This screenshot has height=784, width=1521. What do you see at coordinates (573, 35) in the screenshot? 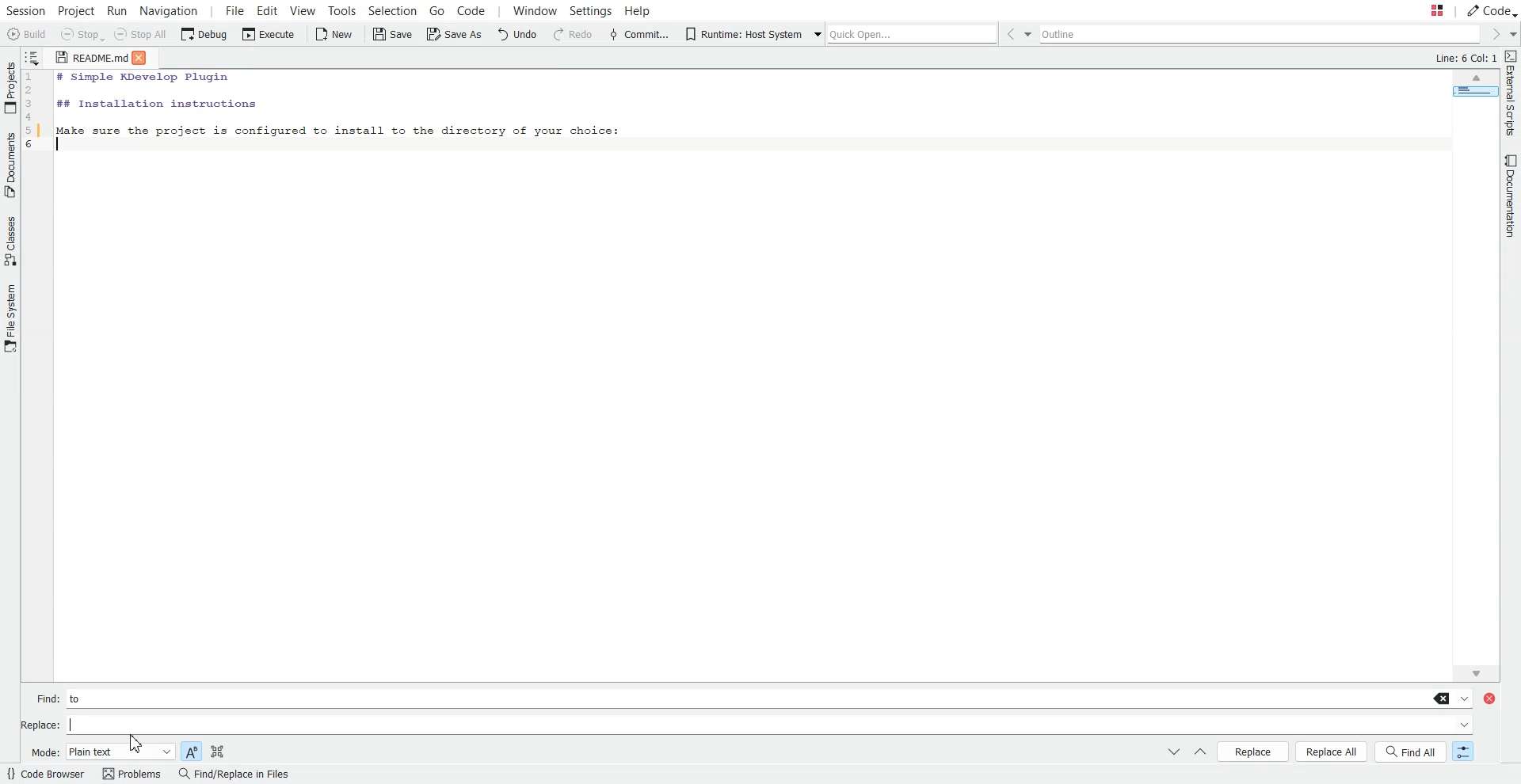
I see `Redo` at bounding box center [573, 35].